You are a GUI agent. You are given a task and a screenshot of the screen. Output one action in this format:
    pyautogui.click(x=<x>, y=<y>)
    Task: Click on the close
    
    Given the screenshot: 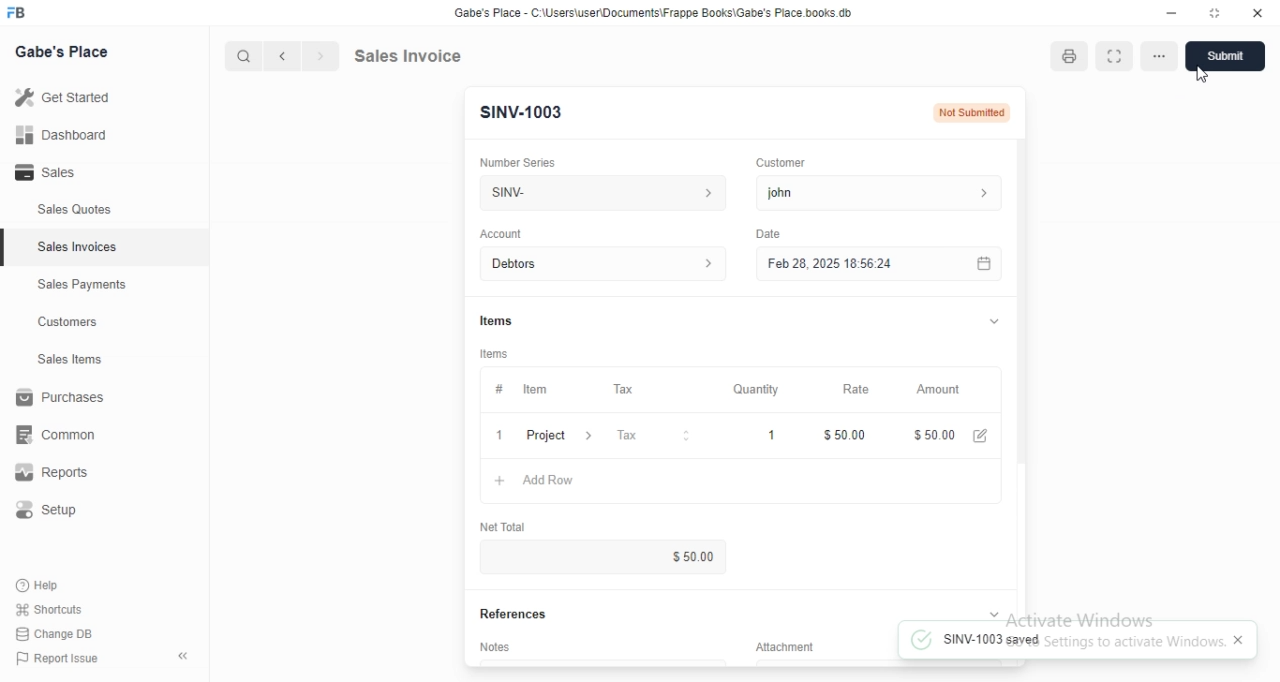 What is the action you would take?
    pyautogui.click(x=1257, y=14)
    